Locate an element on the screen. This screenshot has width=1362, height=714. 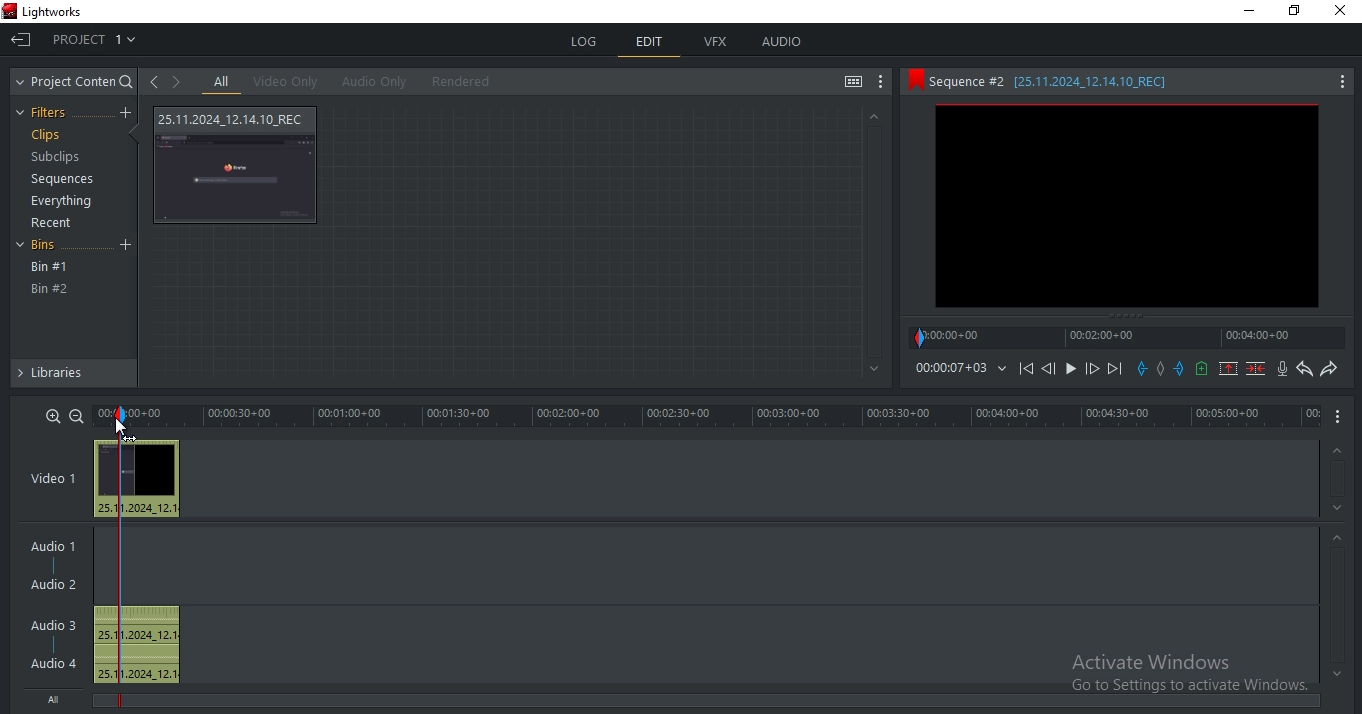
vfx is located at coordinates (717, 42).